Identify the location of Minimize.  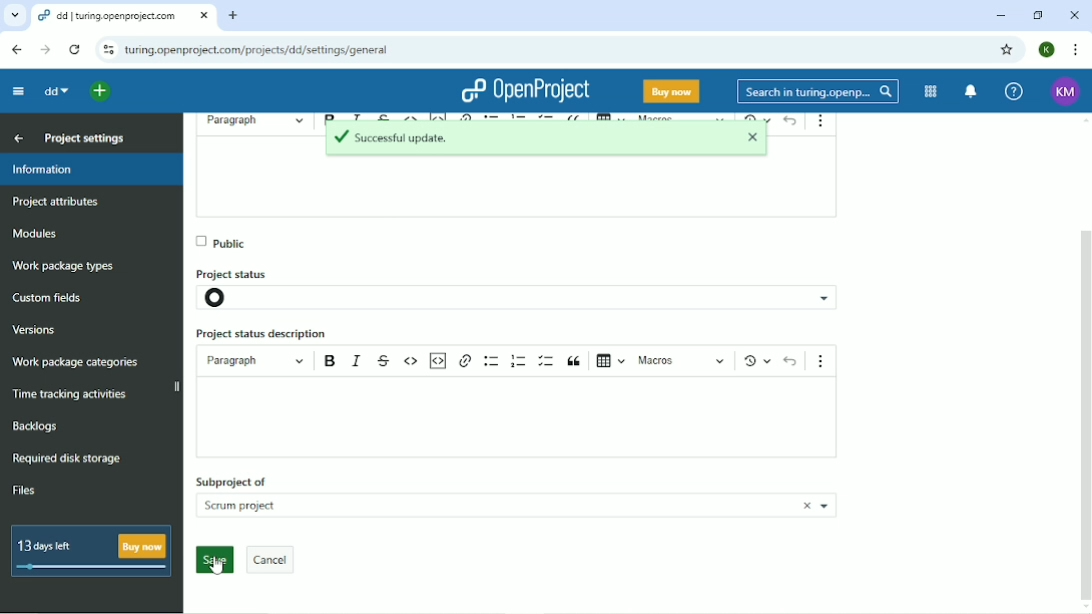
(1001, 16).